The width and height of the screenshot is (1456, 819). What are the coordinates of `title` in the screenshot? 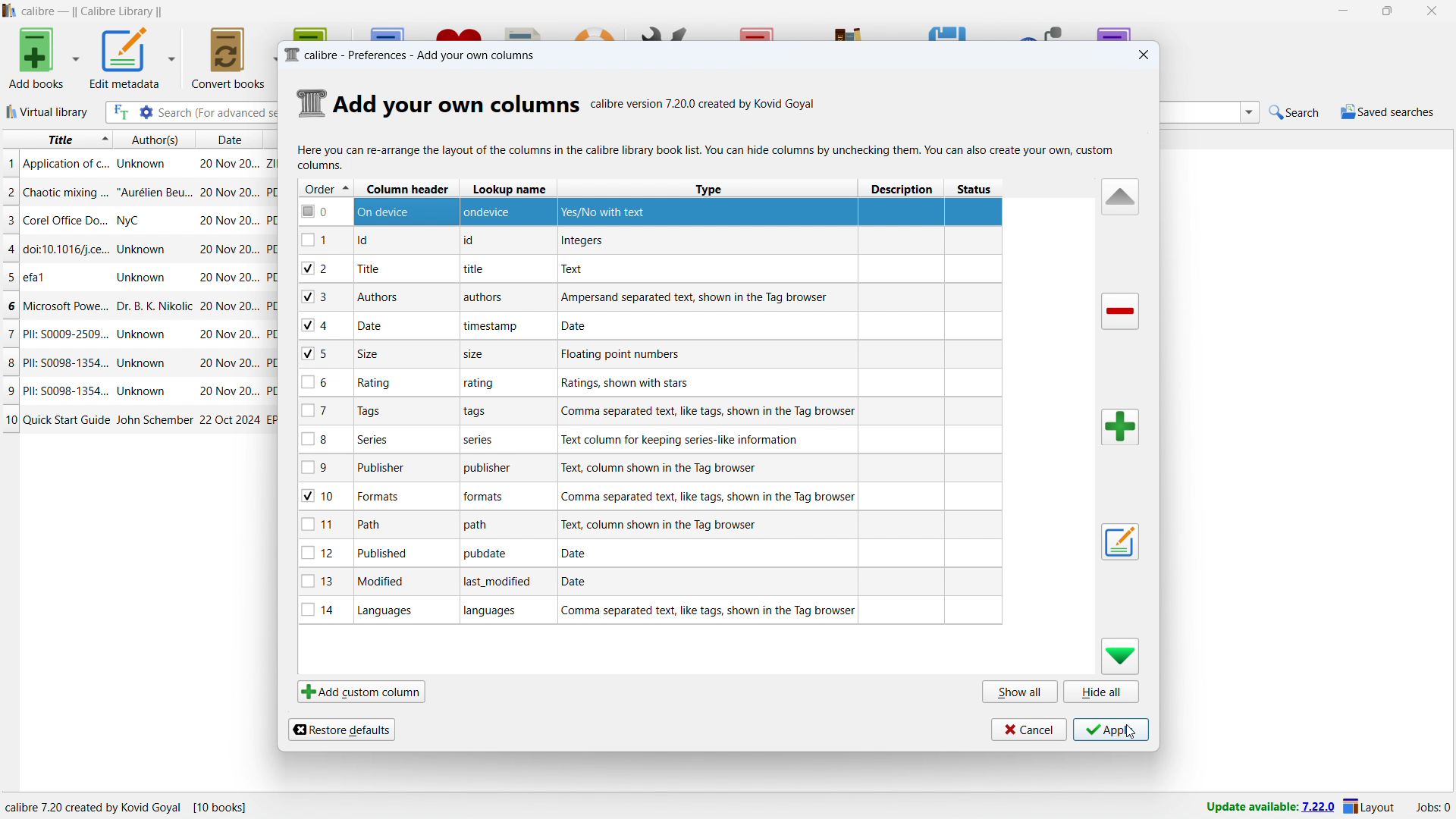 It's located at (66, 220).